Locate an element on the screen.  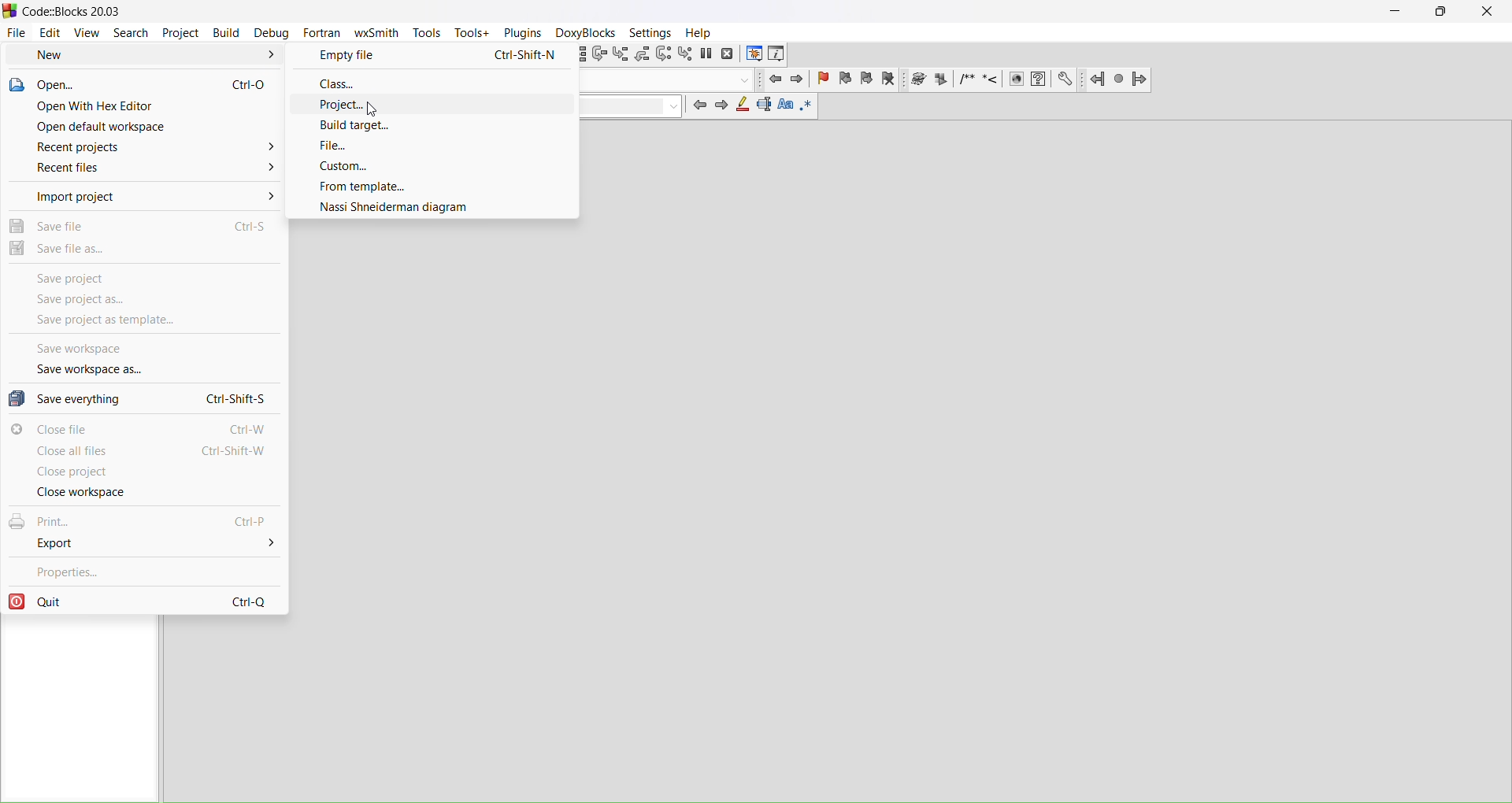
jump forward is located at coordinates (799, 83).